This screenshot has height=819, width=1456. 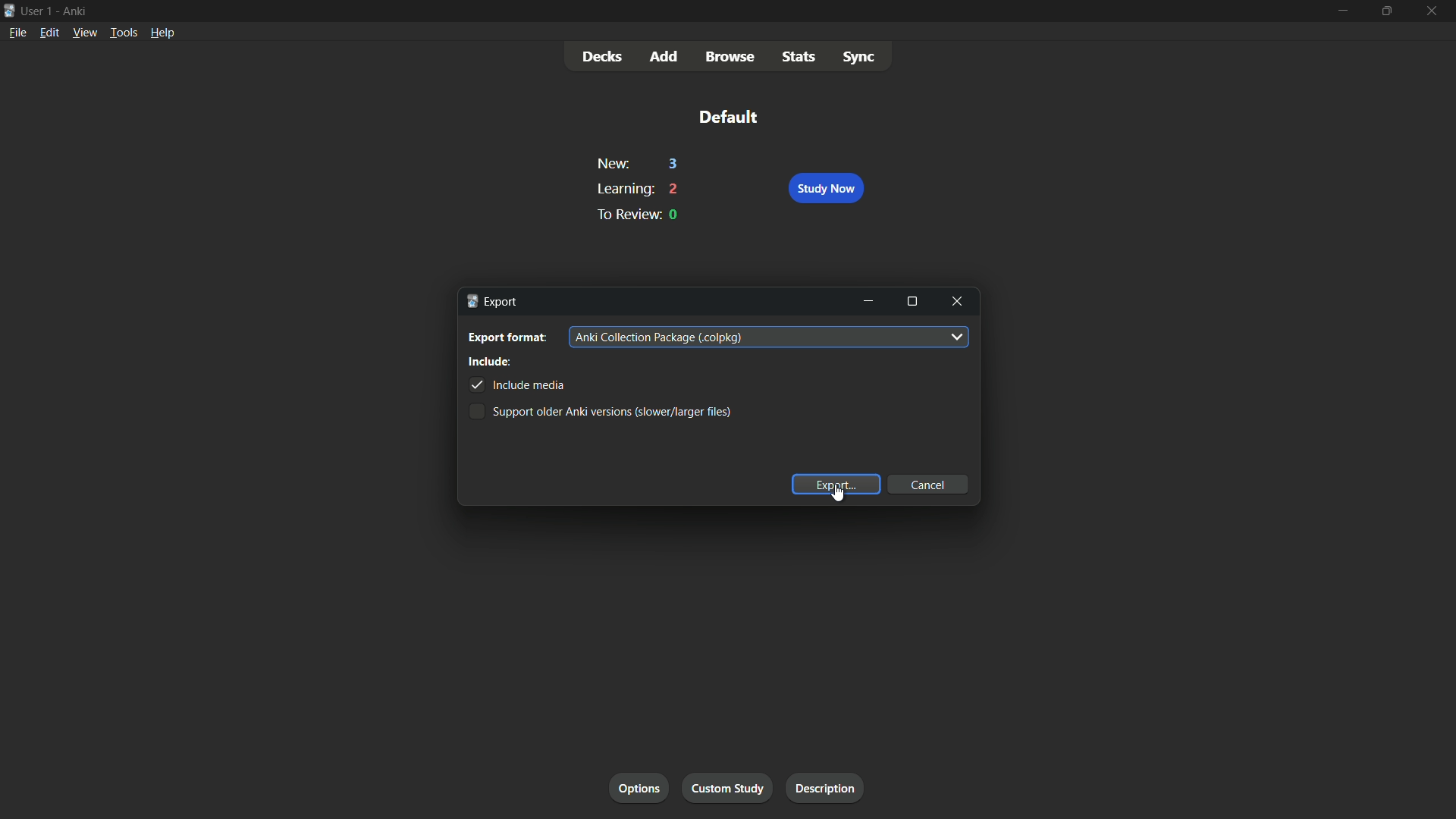 What do you see at coordinates (727, 116) in the screenshot?
I see `default` at bounding box center [727, 116].